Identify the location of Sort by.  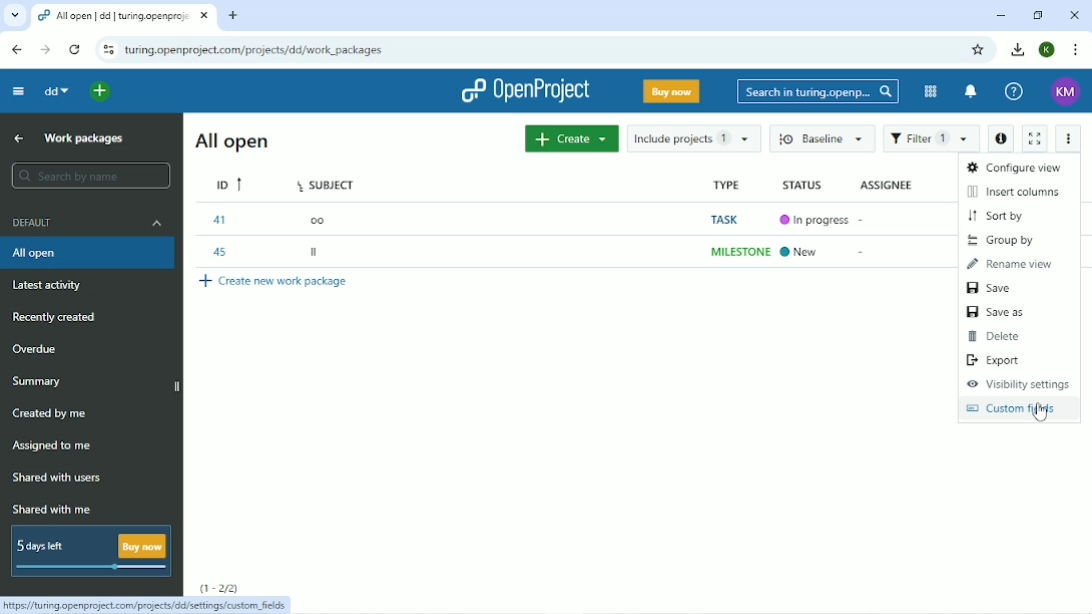
(997, 216).